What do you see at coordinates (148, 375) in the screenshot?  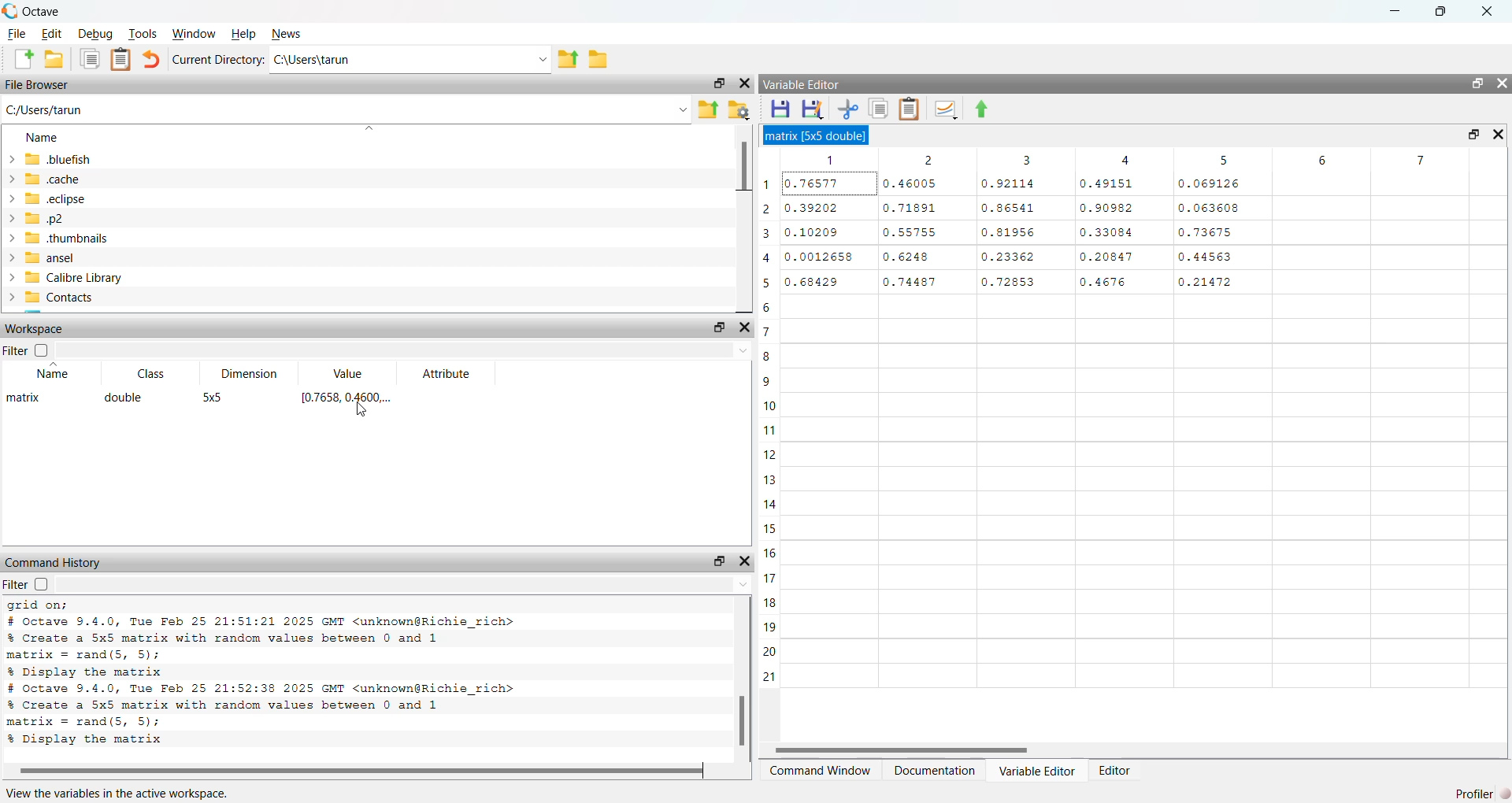 I see `Class` at bounding box center [148, 375].